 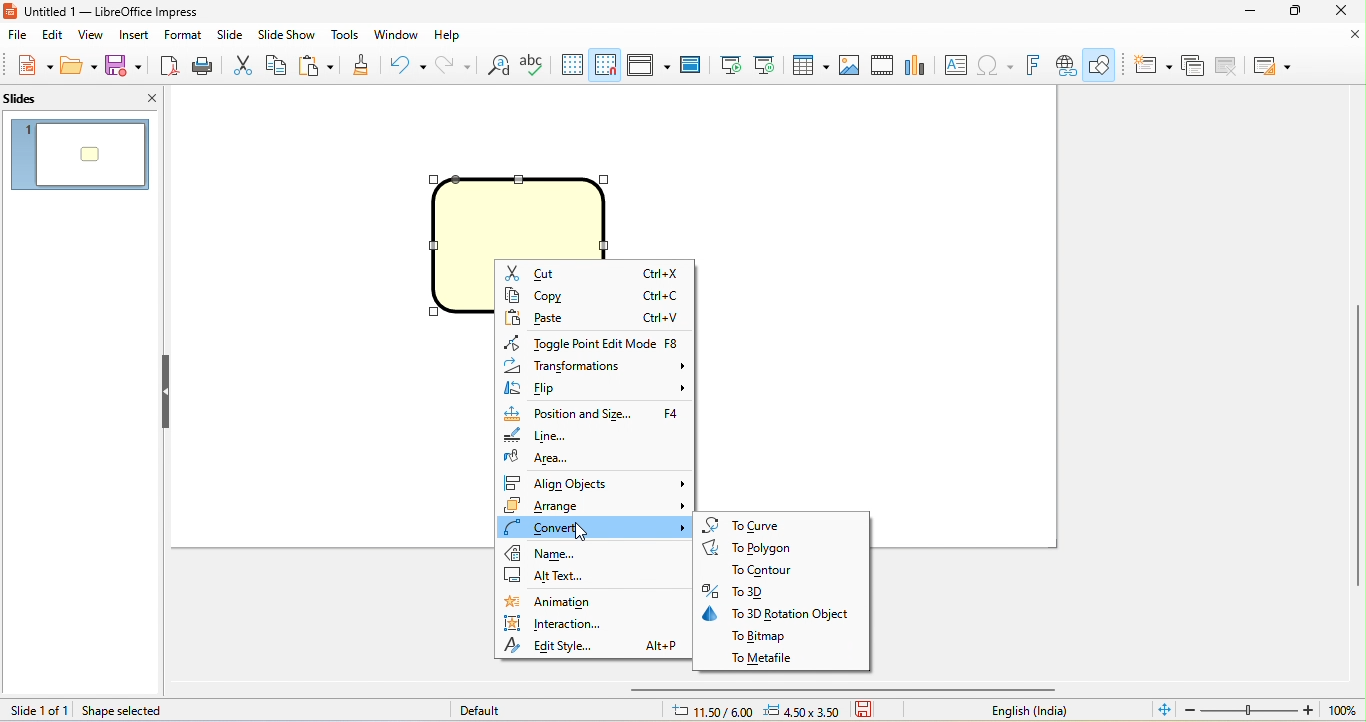 I want to click on fit slide to current window, so click(x=1163, y=711).